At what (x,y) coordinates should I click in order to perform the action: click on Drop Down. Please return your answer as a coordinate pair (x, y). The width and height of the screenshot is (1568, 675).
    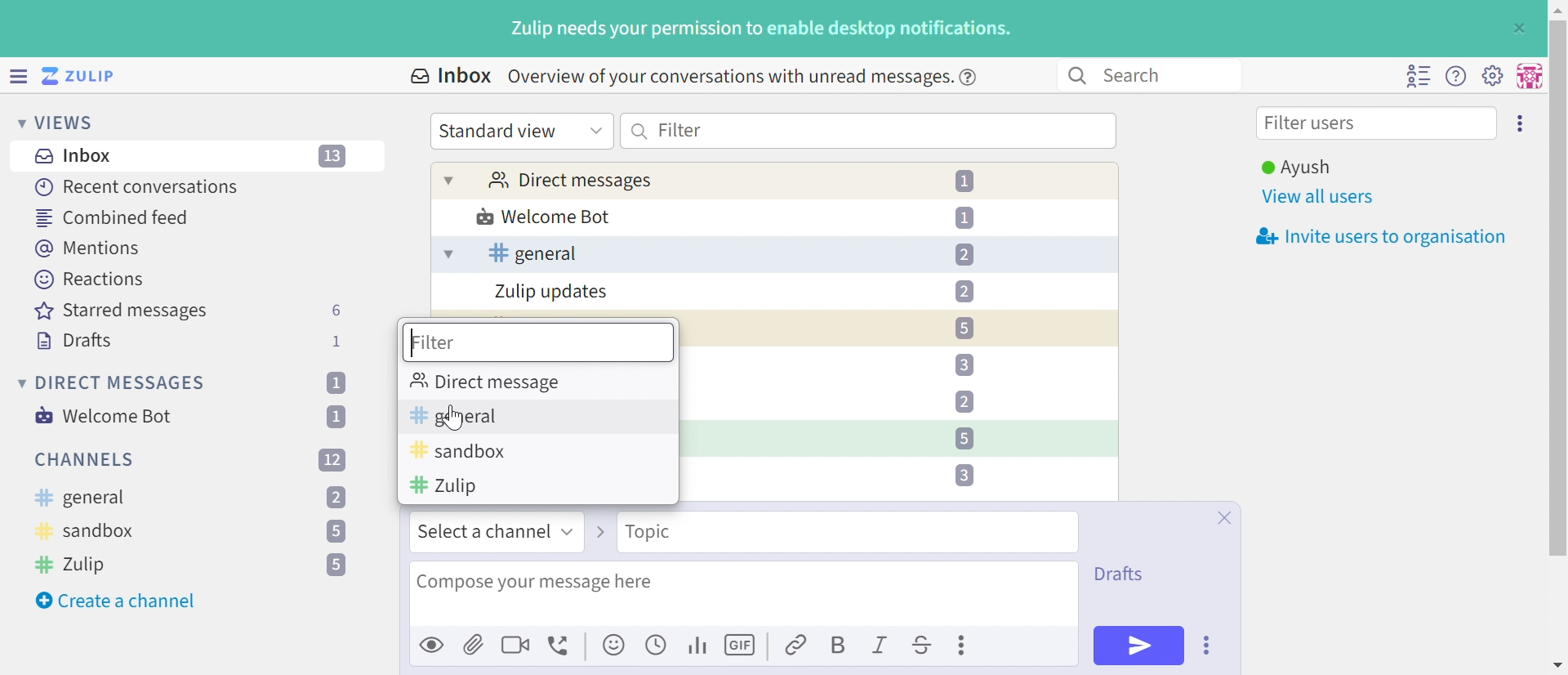
    Looking at the image, I should click on (19, 382).